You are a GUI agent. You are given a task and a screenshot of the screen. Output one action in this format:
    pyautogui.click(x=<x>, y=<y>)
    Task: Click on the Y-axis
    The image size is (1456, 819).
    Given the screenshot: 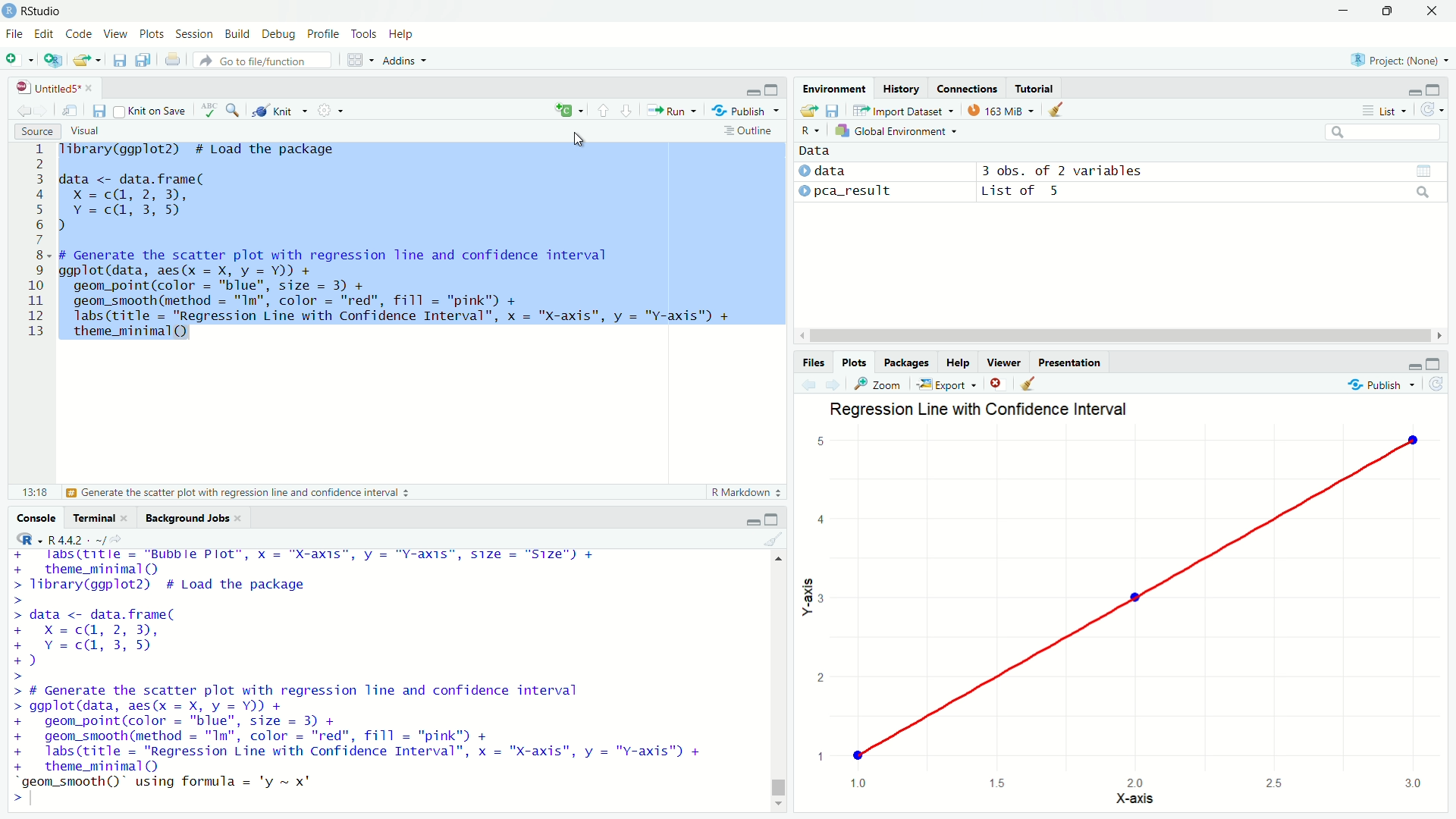 What is the action you would take?
    pyautogui.click(x=807, y=597)
    